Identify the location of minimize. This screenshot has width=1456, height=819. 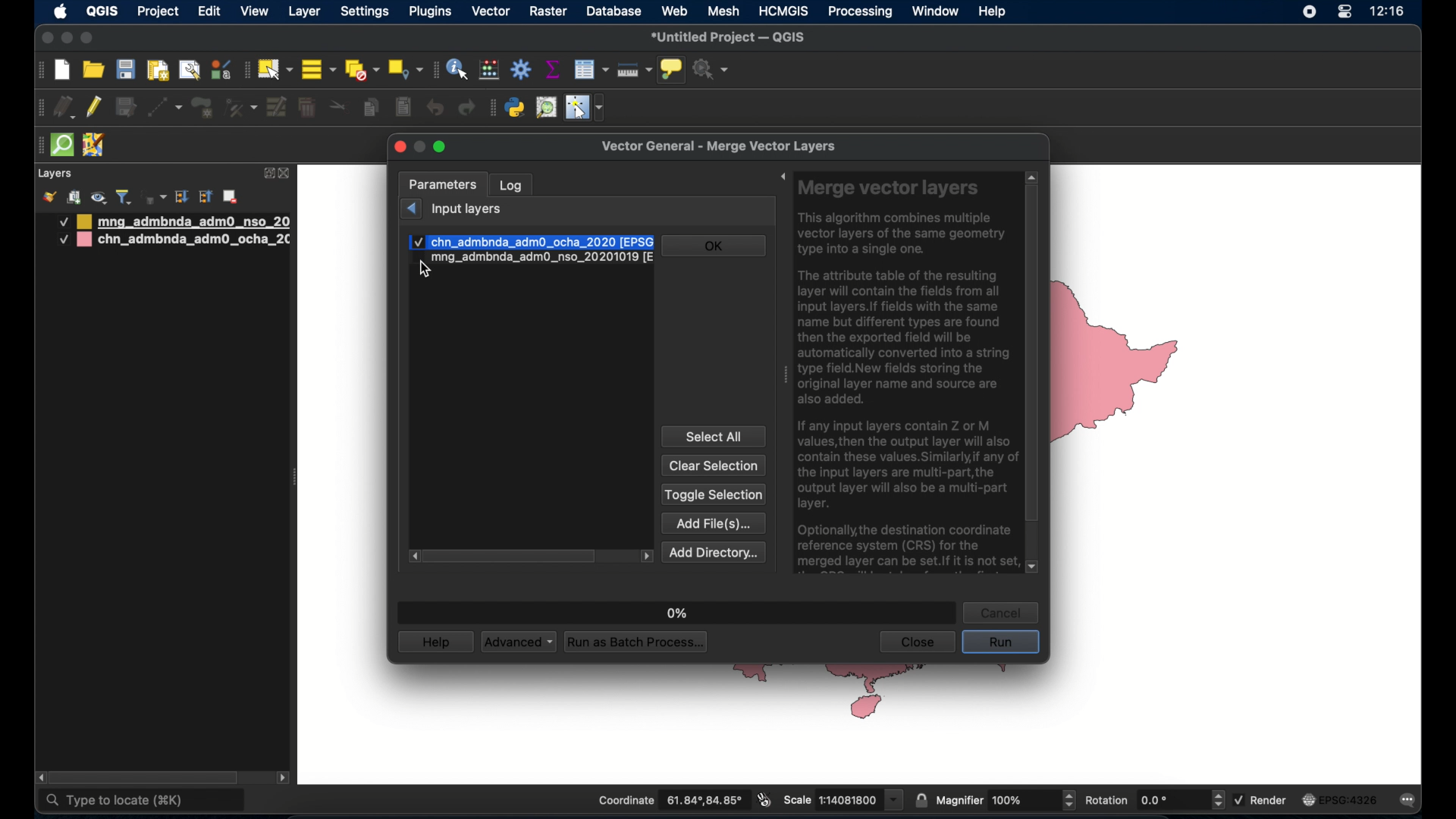
(420, 146).